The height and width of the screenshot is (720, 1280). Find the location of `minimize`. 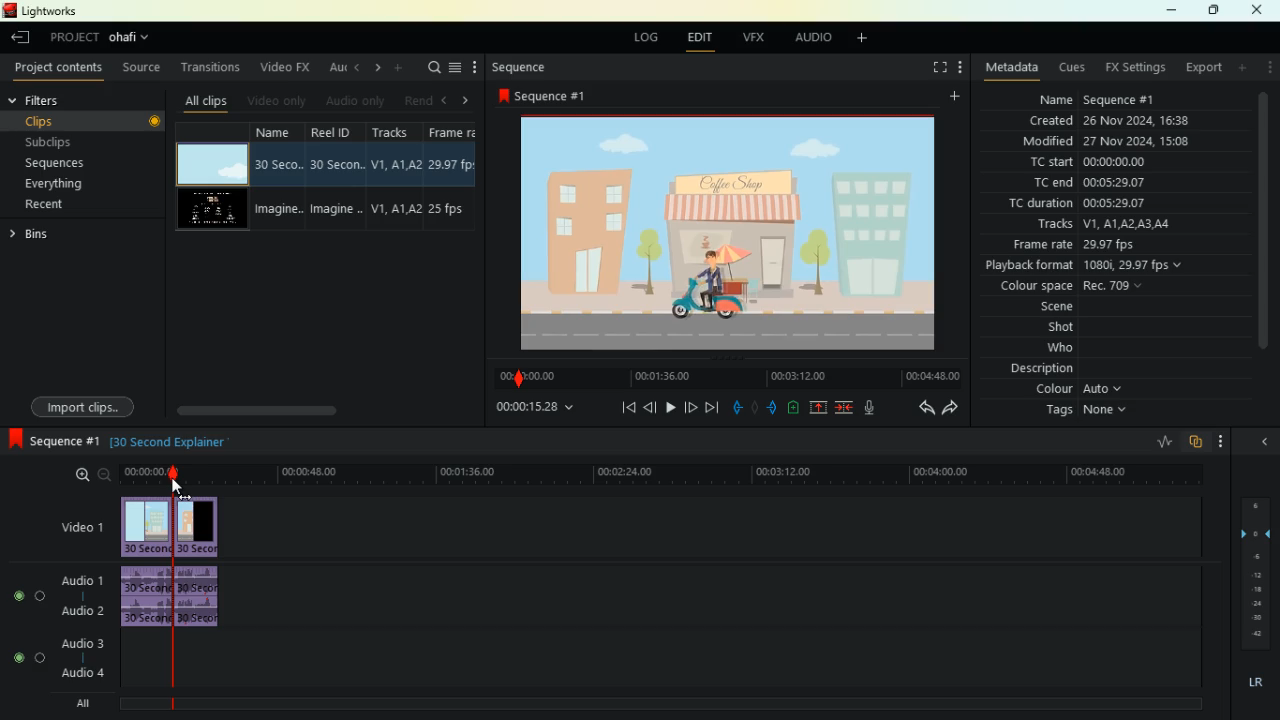

minimize is located at coordinates (1174, 11).